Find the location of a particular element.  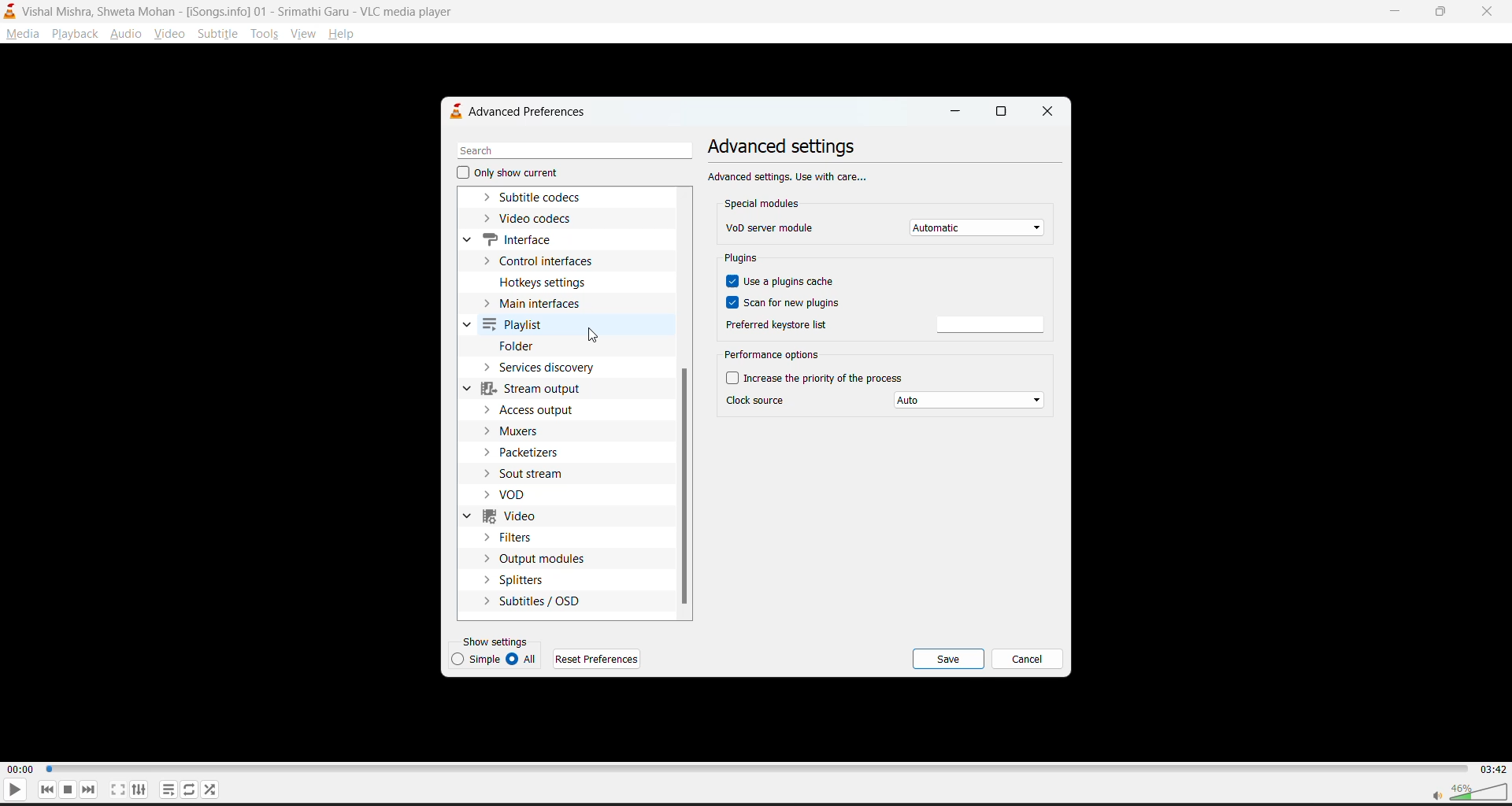

only show current is located at coordinates (512, 176).